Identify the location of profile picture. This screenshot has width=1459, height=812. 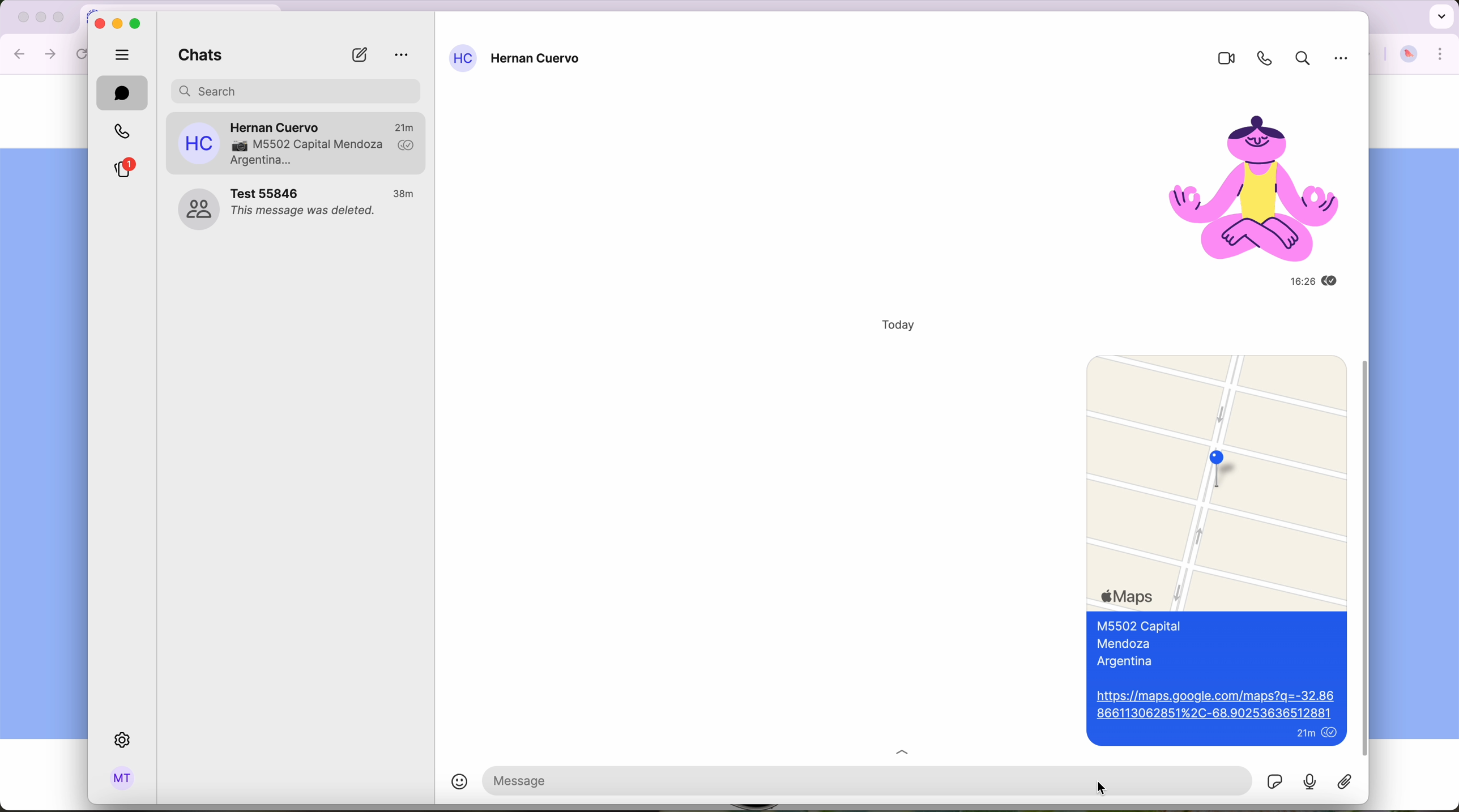
(1409, 55).